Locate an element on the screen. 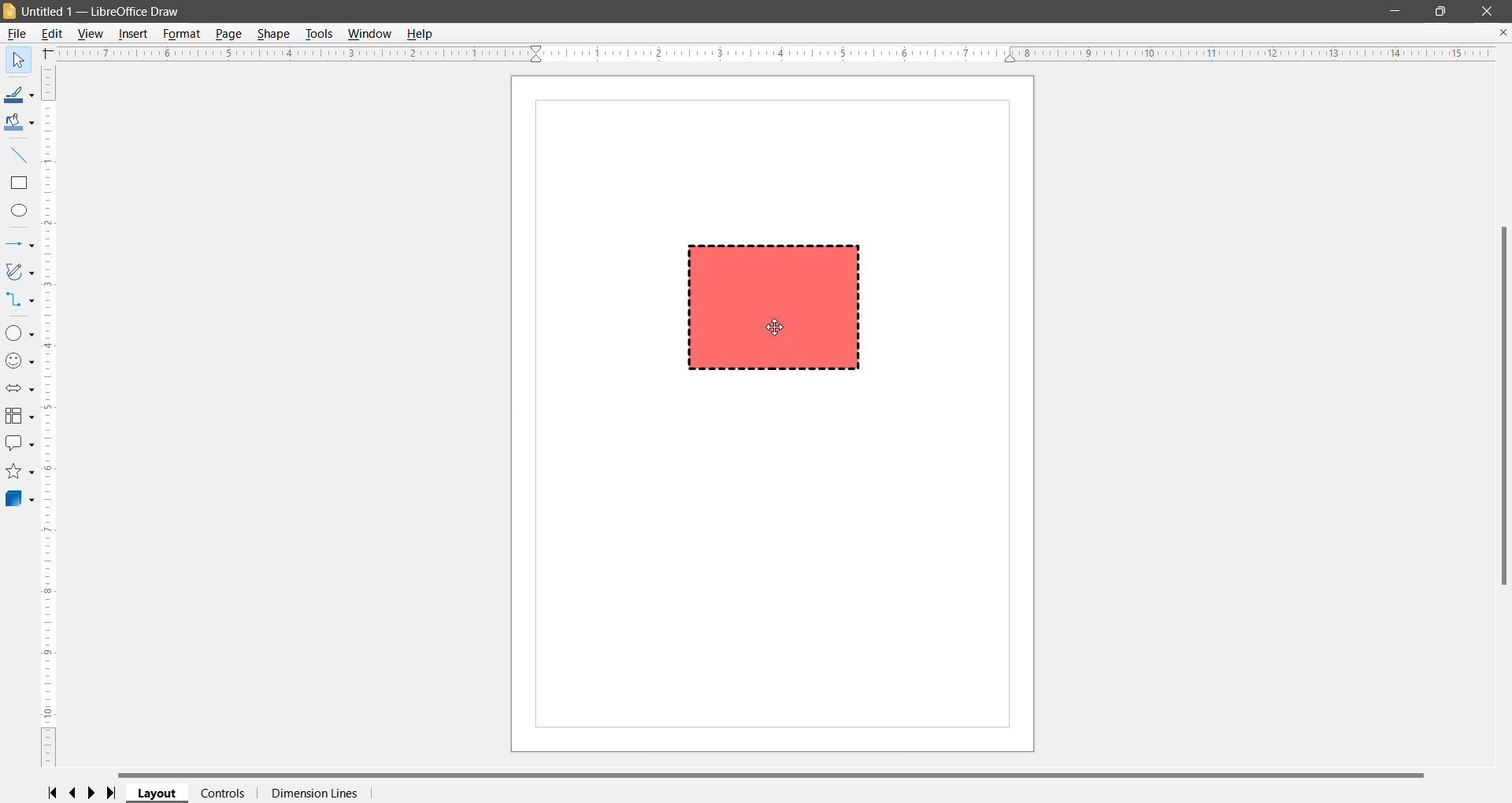  Connectors is located at coordinates (20, 301).